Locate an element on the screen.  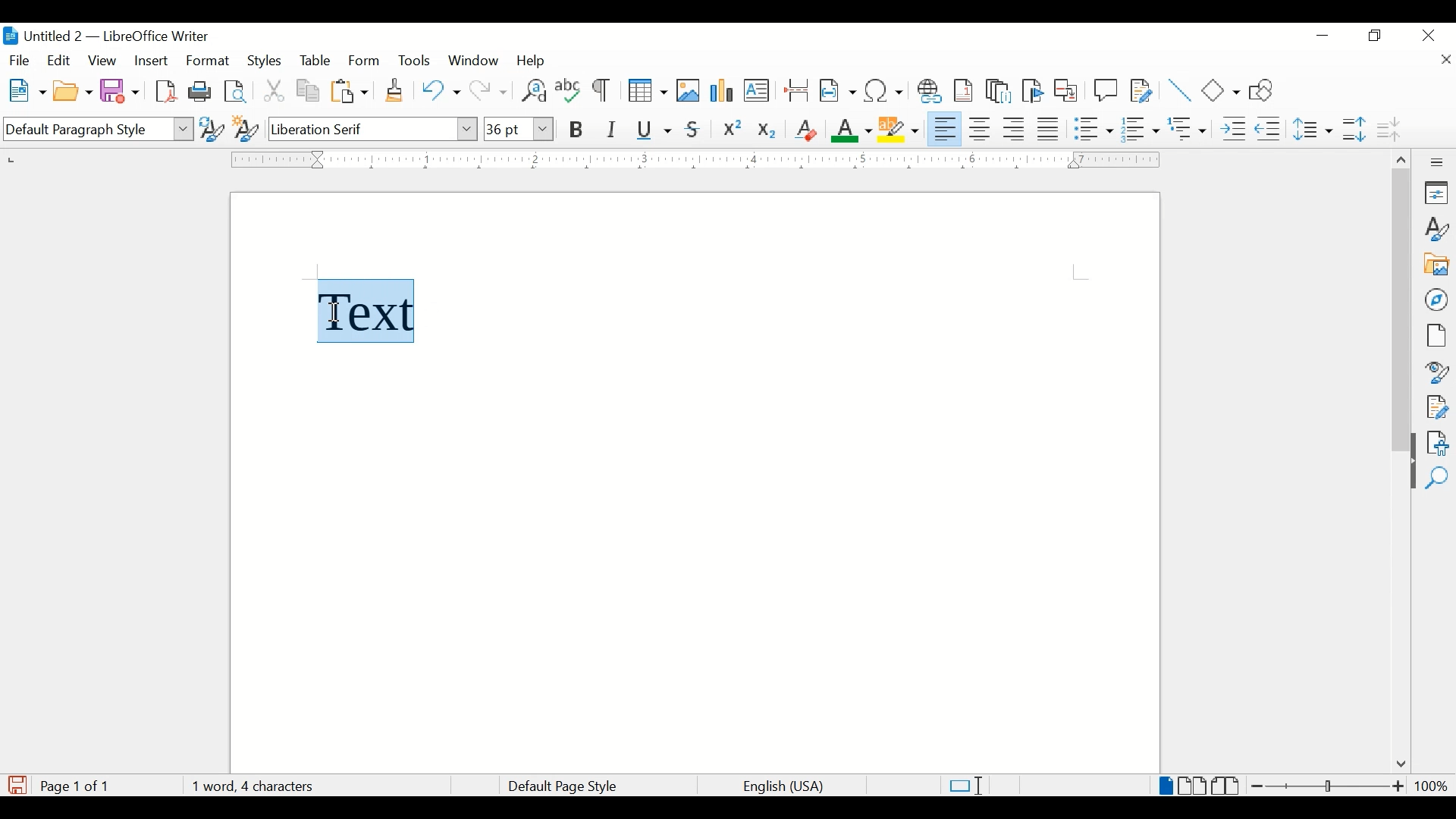
toggle print preview is located at coordinates (237, 91).